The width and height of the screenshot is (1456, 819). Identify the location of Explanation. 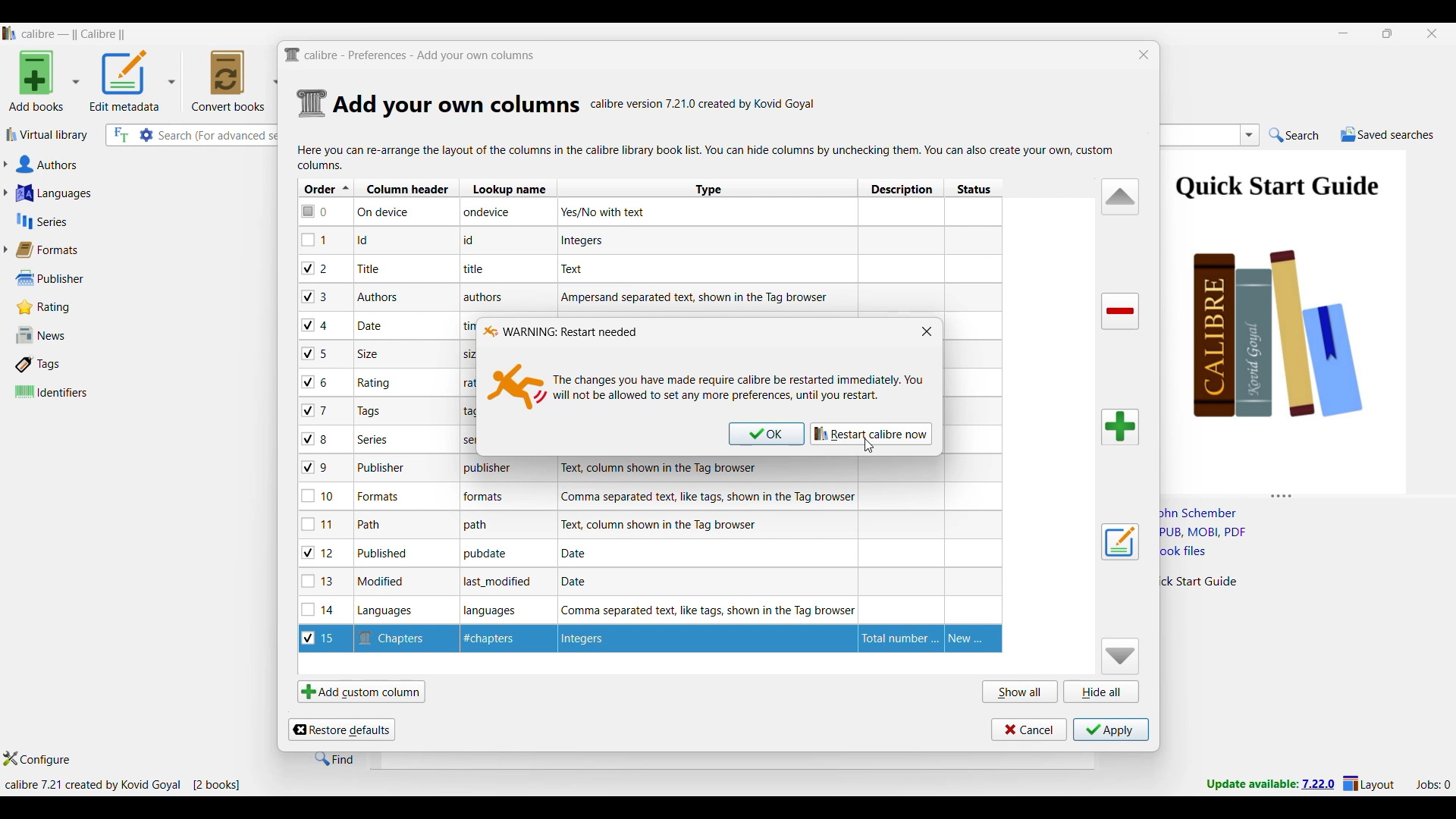
(698, 297).